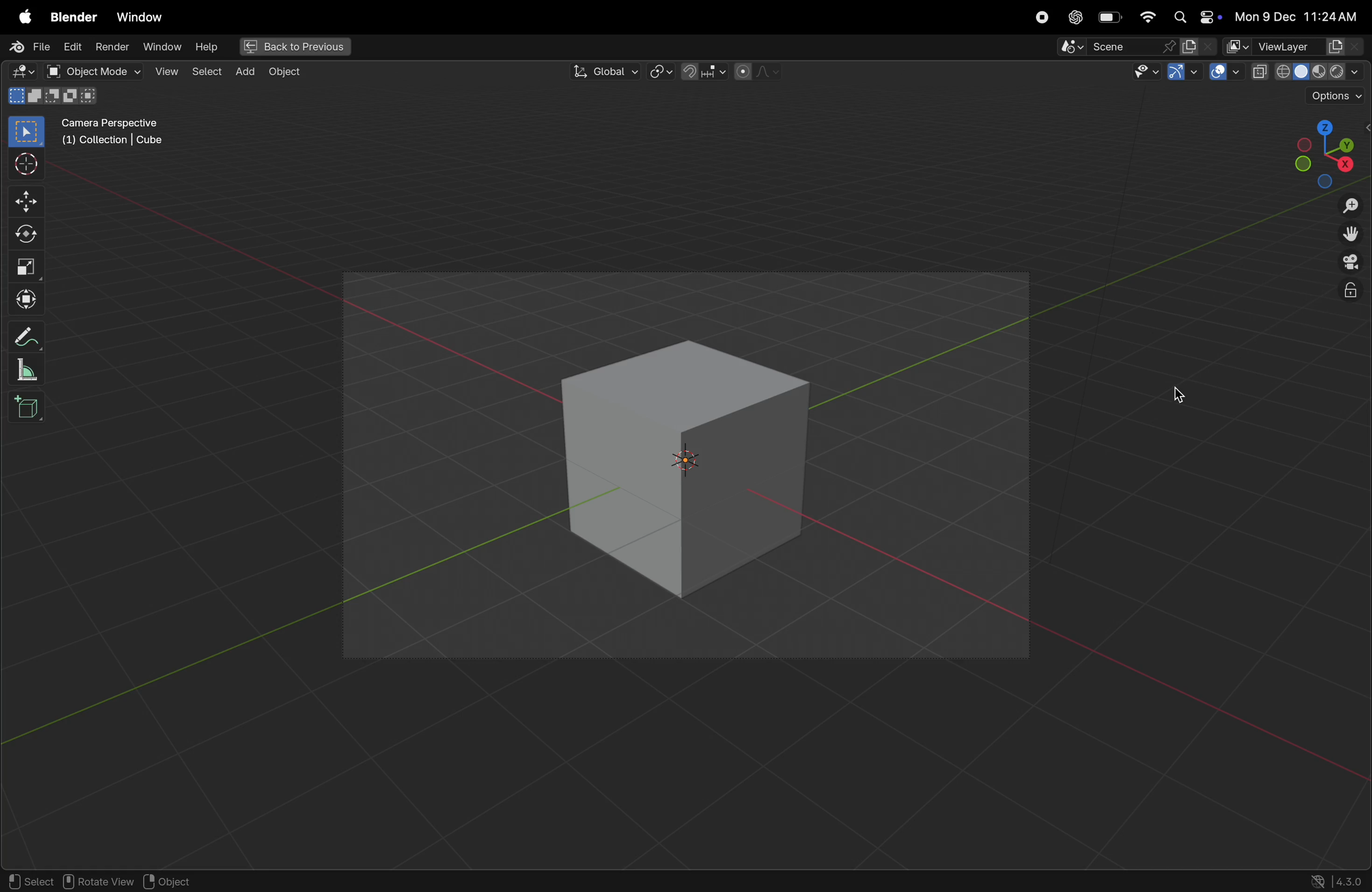 The height and width of the screenshot is (892, 1372). What do you see at coordinates (206, 73) in the screenshot?
I see `select` at bounding box center [206, 73].